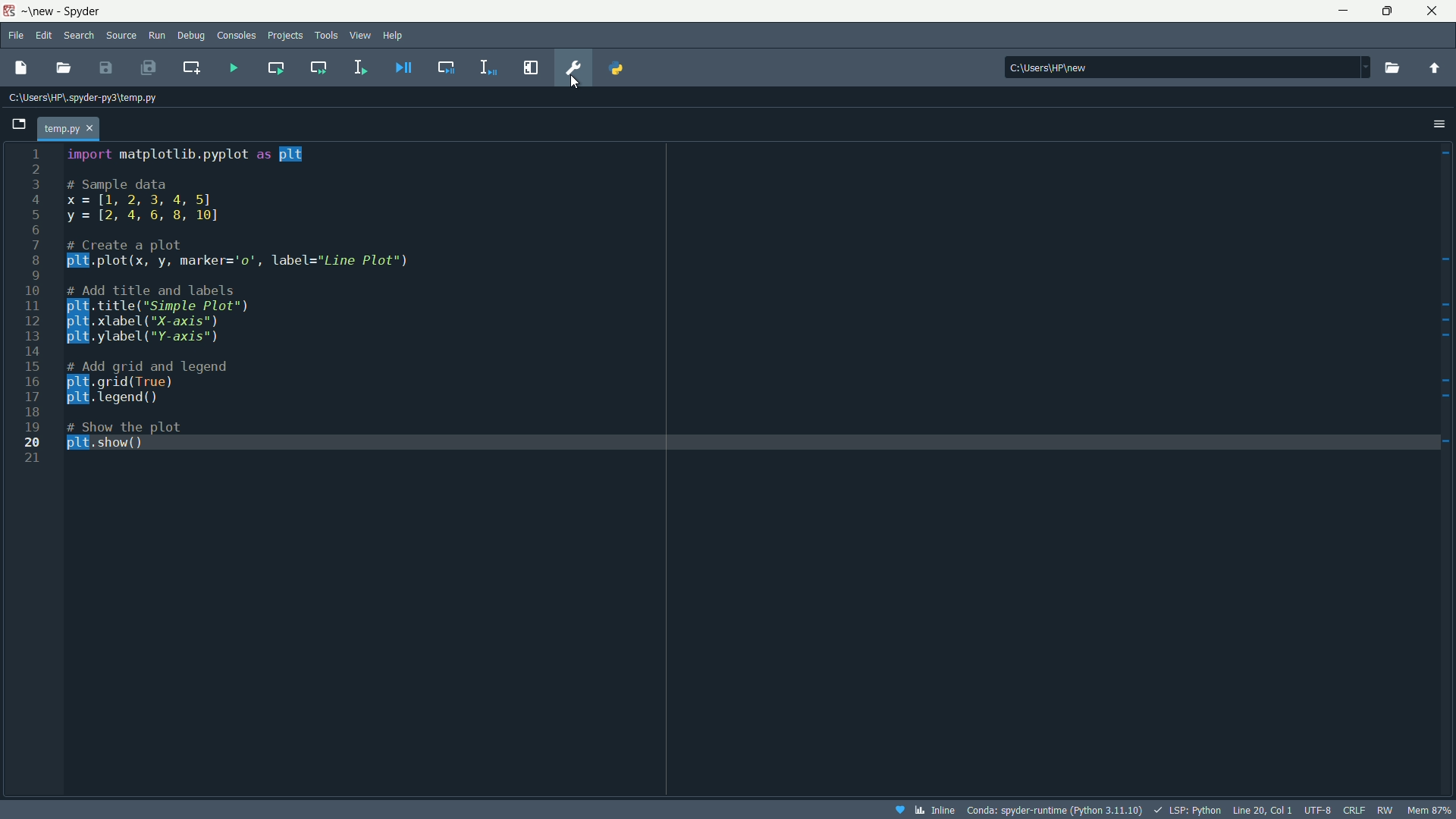 The image size is (1456, 819). I want to click on rw, so click(1389, 810).